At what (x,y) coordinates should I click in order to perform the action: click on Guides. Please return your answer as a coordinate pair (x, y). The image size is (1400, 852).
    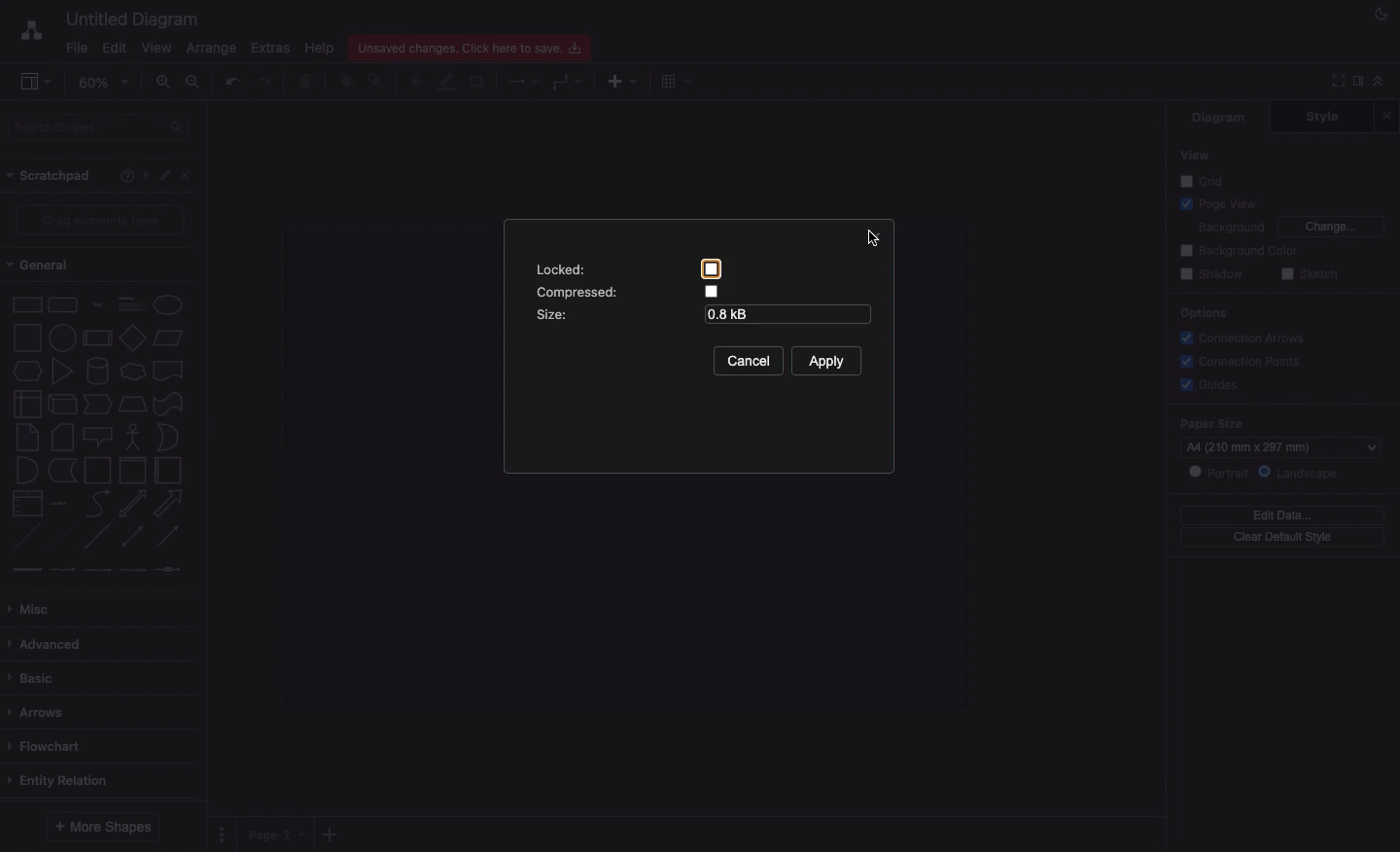
    Looking at the image, I should click on (1207, 383).